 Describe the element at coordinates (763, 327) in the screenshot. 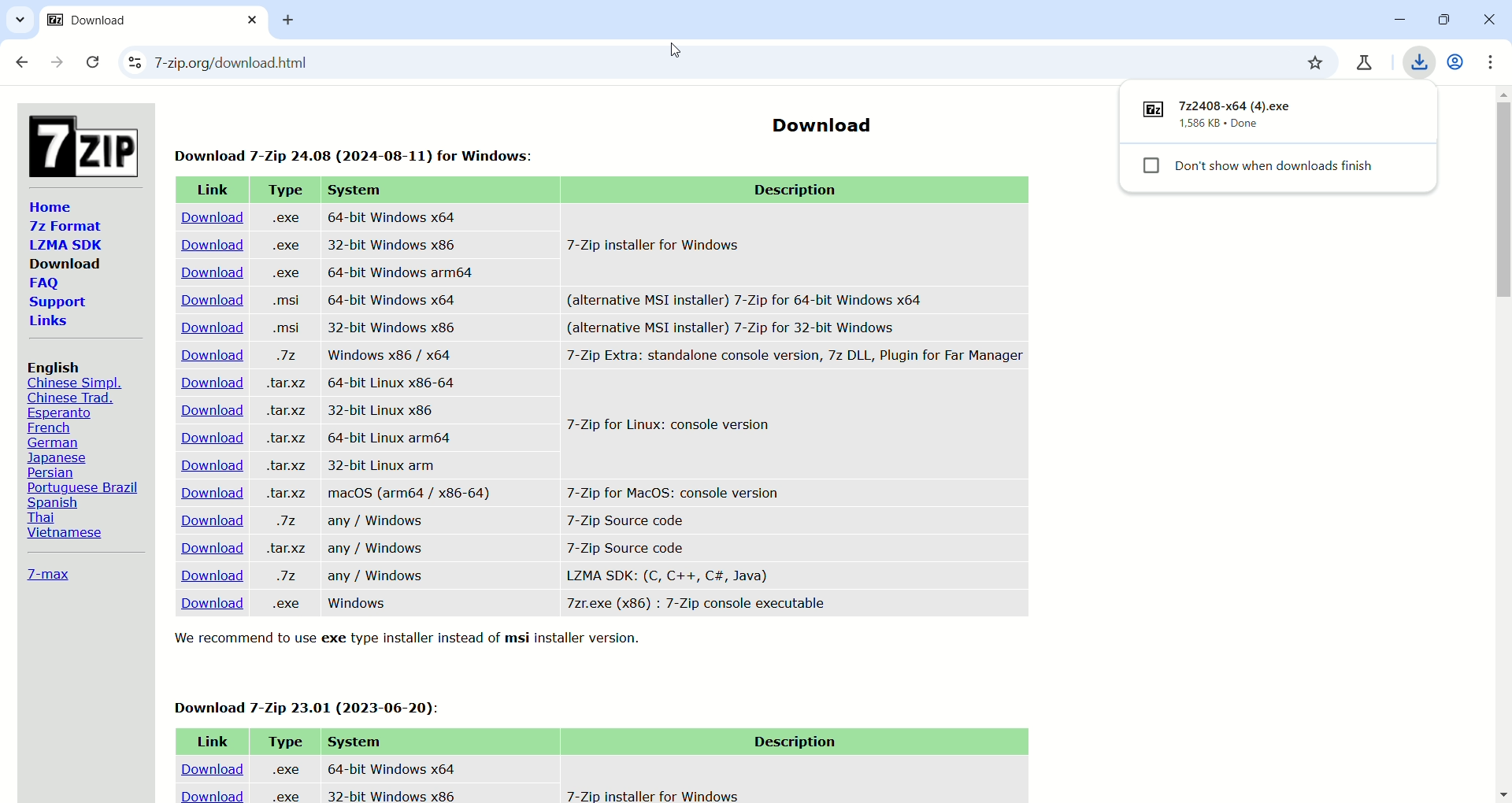

I see `(alternative MSI installer) 7-Zip for 32-bit Windows` at that location.